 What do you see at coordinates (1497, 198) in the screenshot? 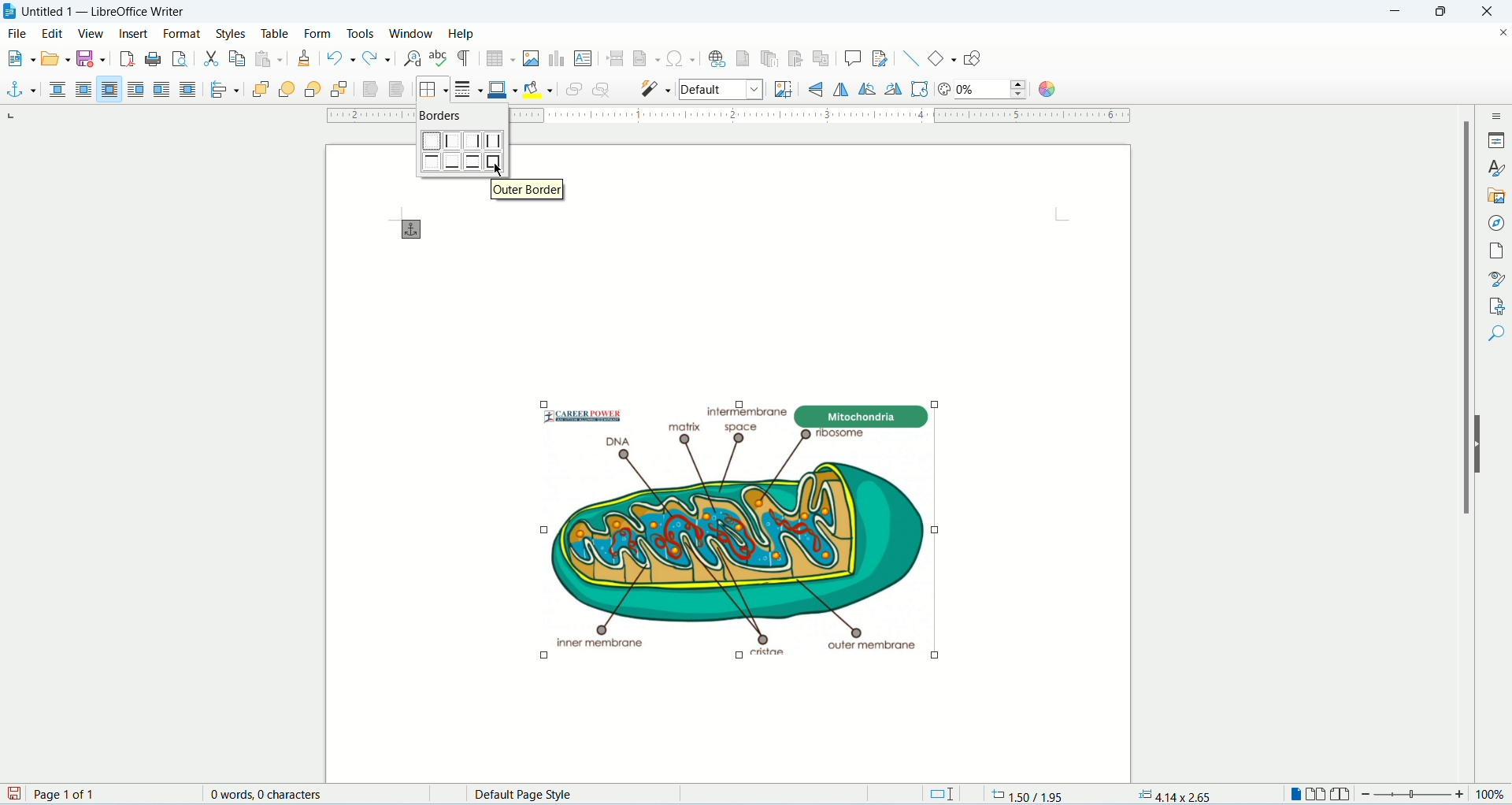
I see `gallery` at bounding box center [1497, 198].